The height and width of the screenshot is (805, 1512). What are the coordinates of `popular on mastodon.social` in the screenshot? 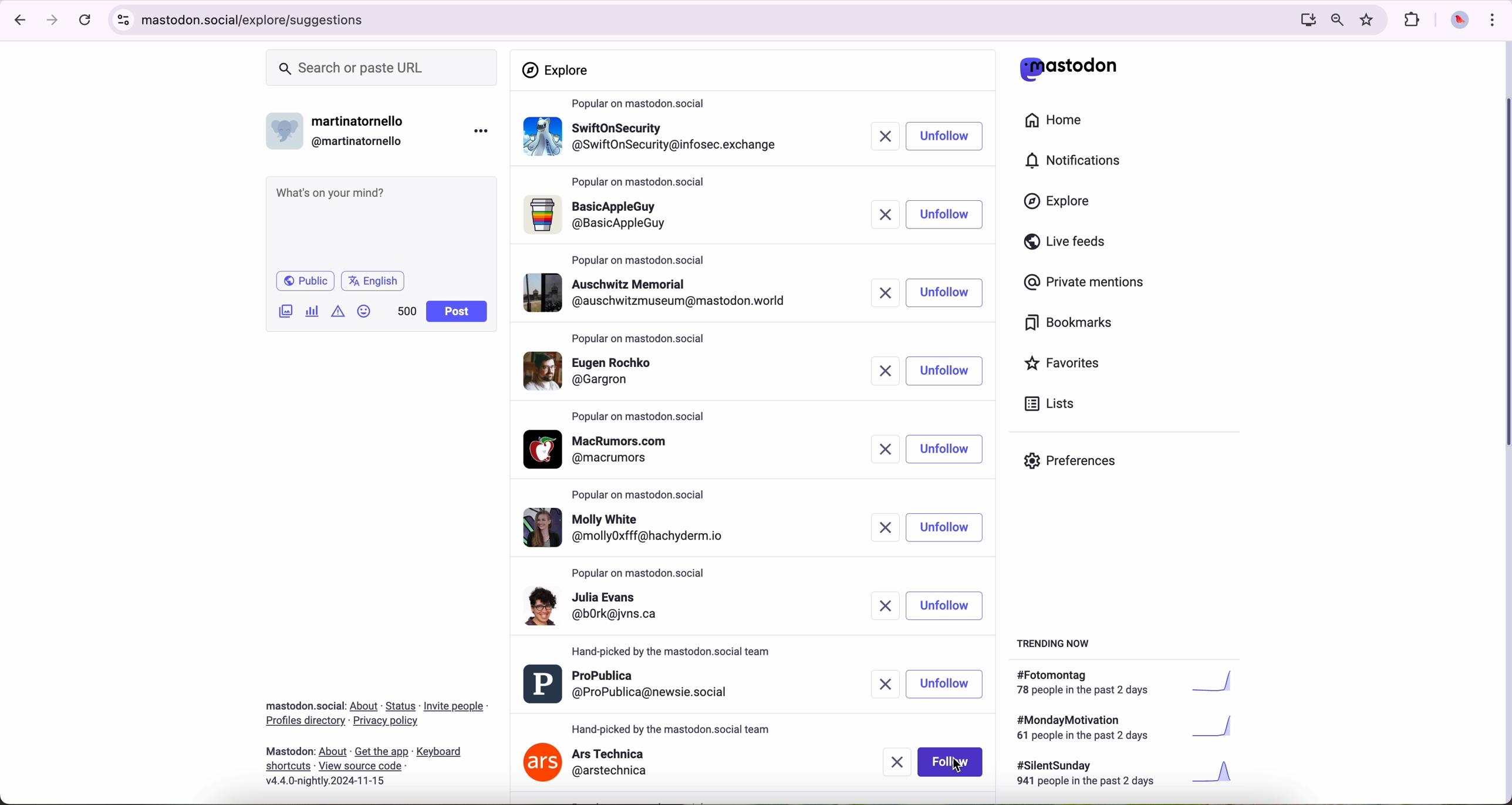 It's located at (644, 574).